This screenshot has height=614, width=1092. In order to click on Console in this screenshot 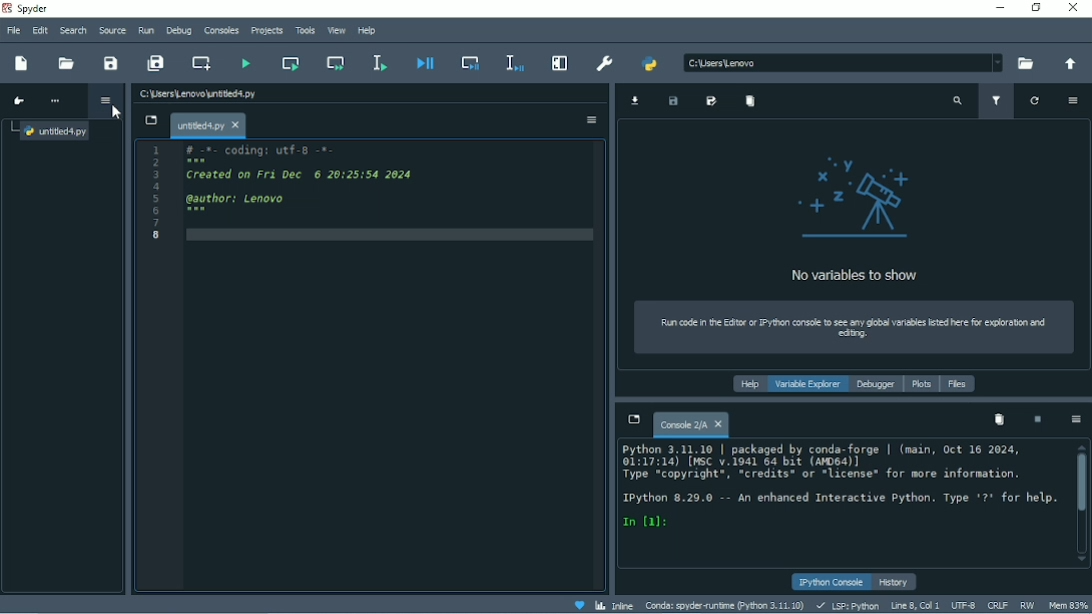, I will do `click(692, 425)`.